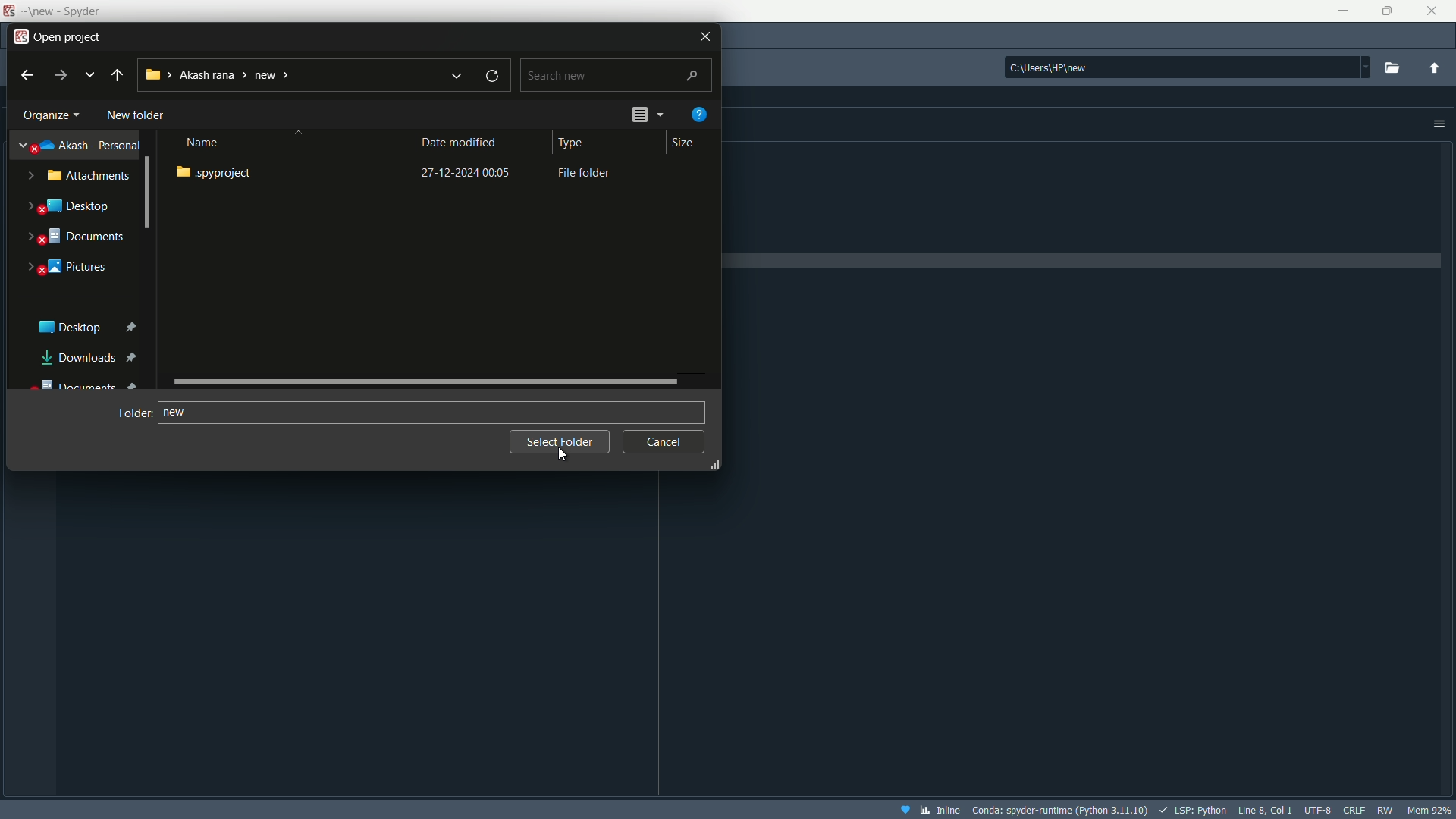 This screenshot has height=819, width=1456. Describe the element at coordinates (49, 117) in the screenshot. I see `organize` at that location.